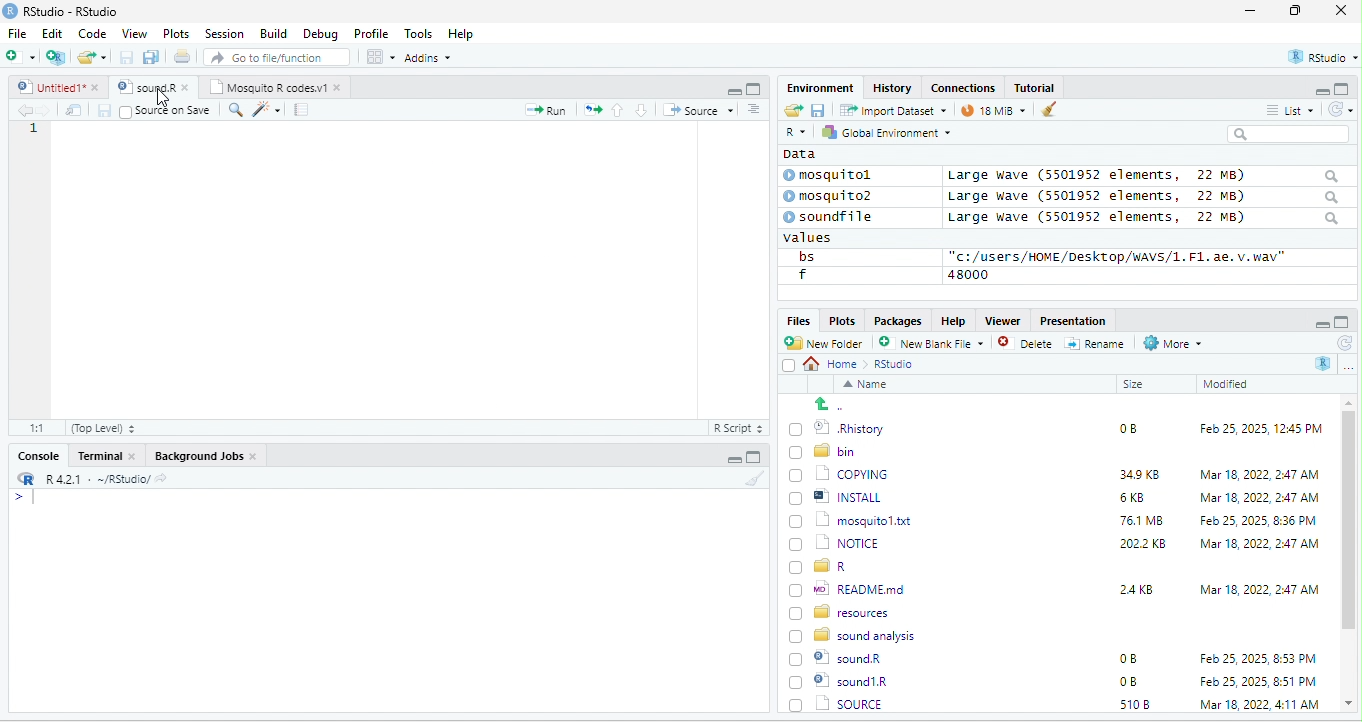  I want to click on refresh, so click(1337, 109).